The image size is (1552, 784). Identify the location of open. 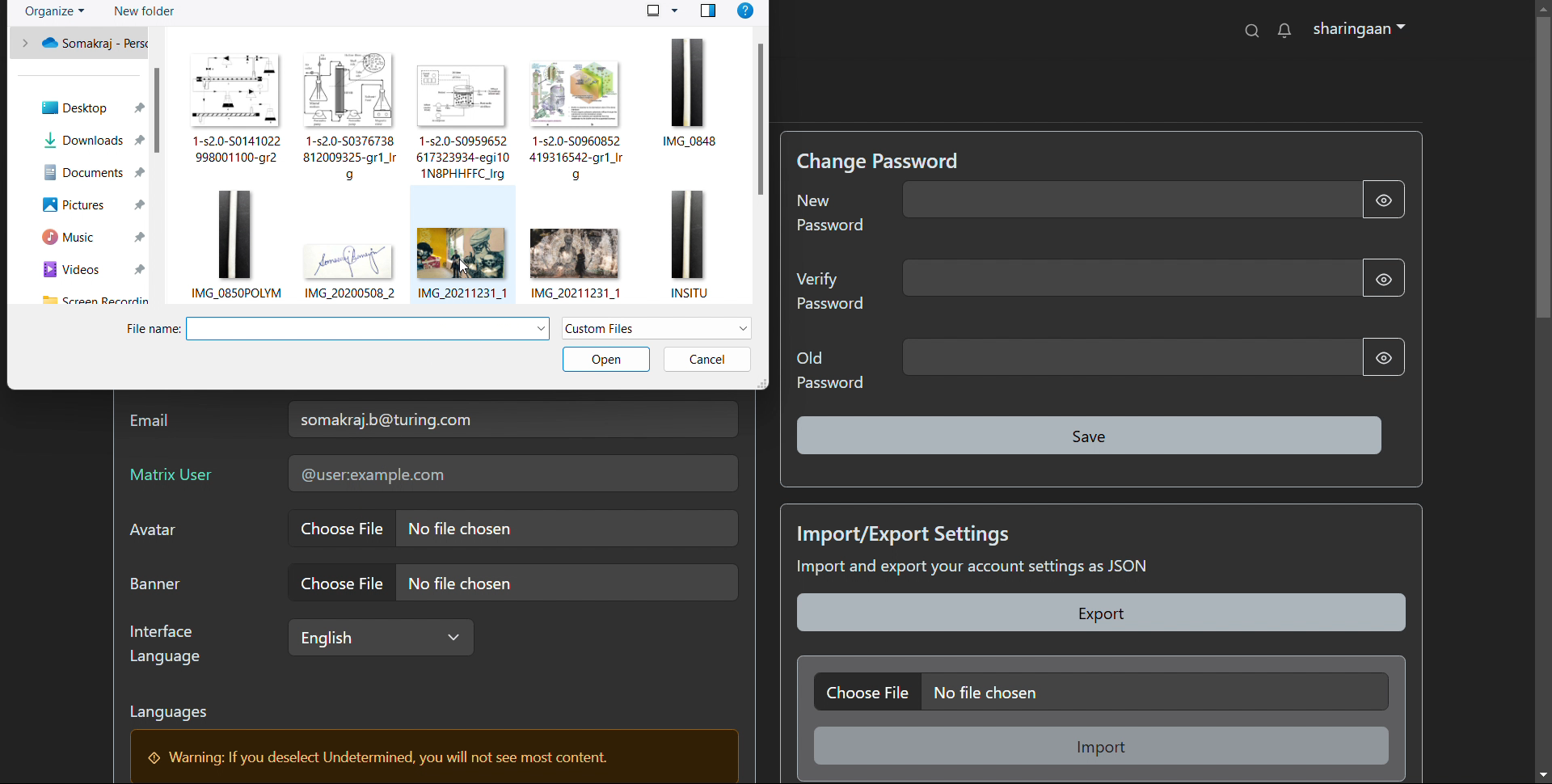
(605, 360).